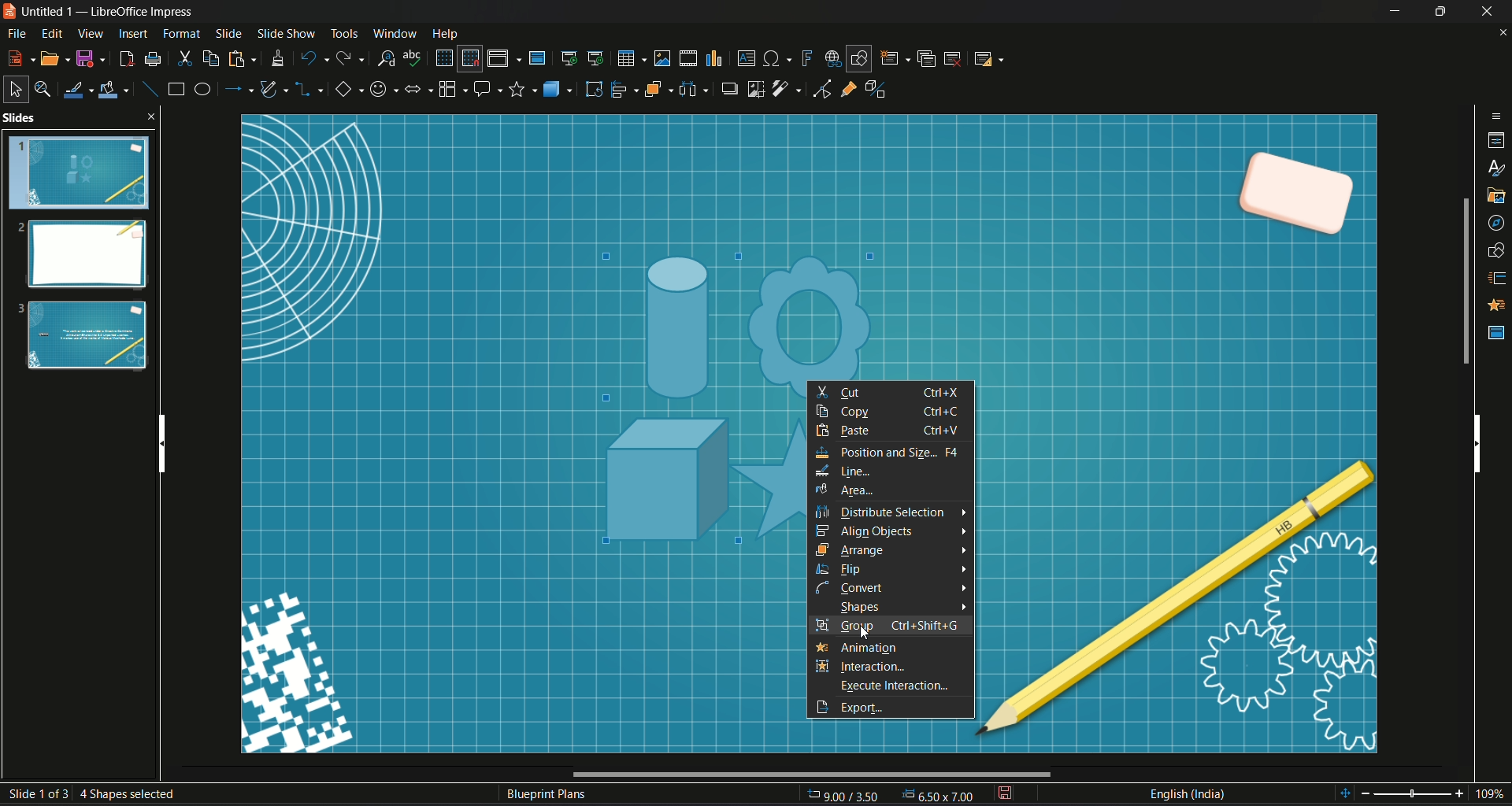  What do you see at coordinates (896, 686) in the screenshot?
I see `execute interaction` at bounding box center [896, 686].